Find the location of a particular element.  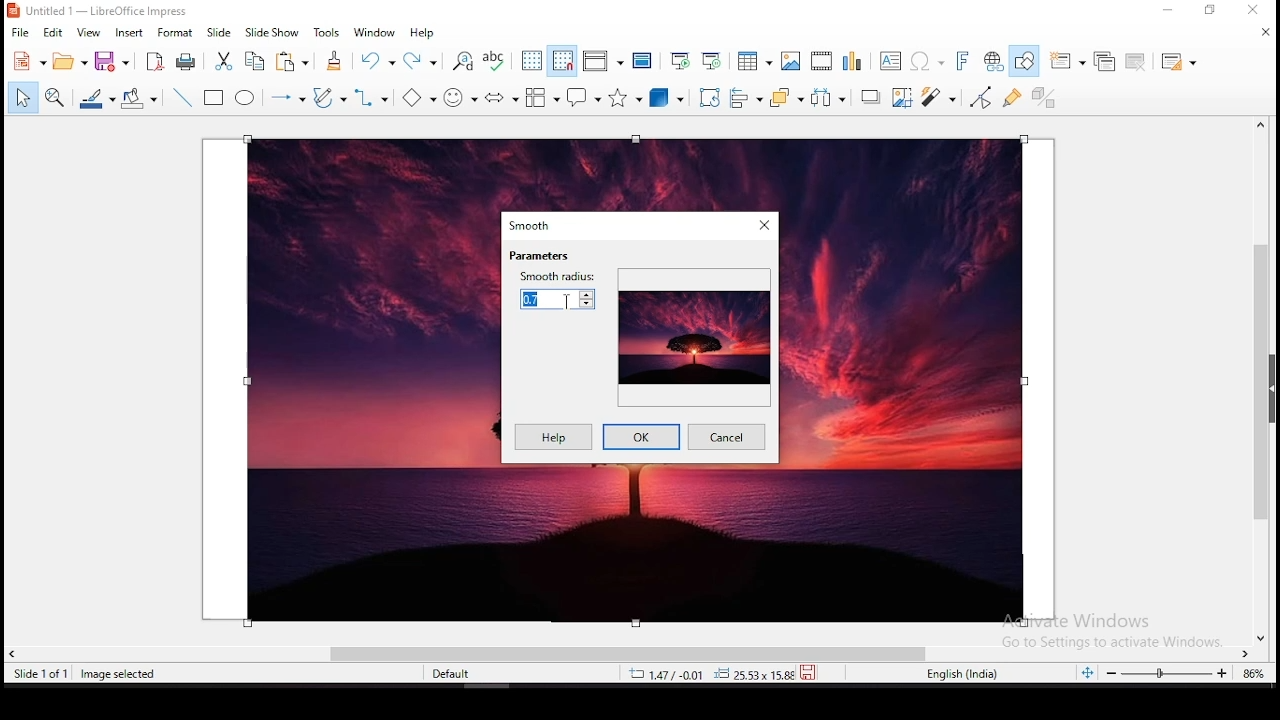

help is located at coordinates (425, 34).